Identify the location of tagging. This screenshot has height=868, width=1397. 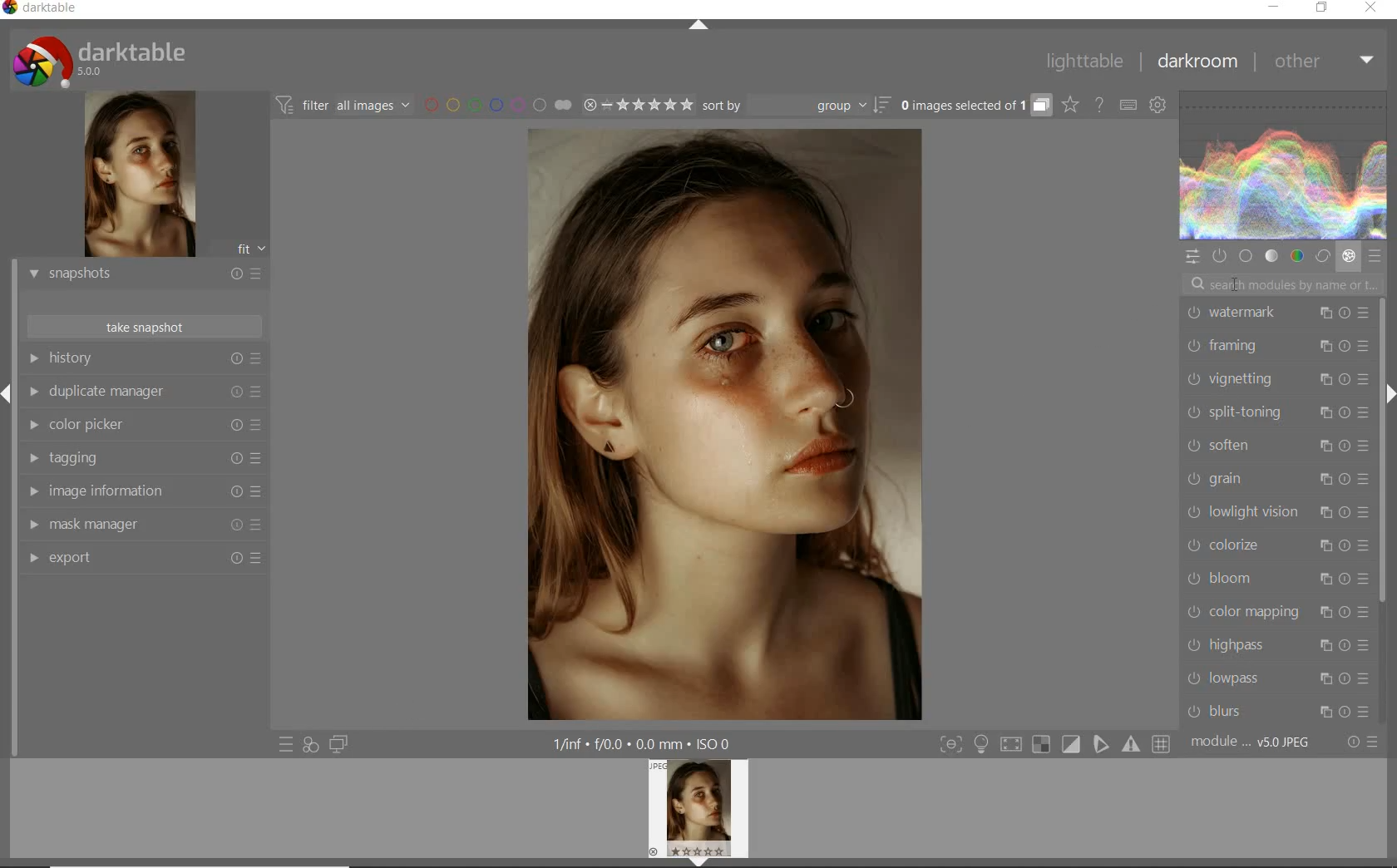
(141, 459).